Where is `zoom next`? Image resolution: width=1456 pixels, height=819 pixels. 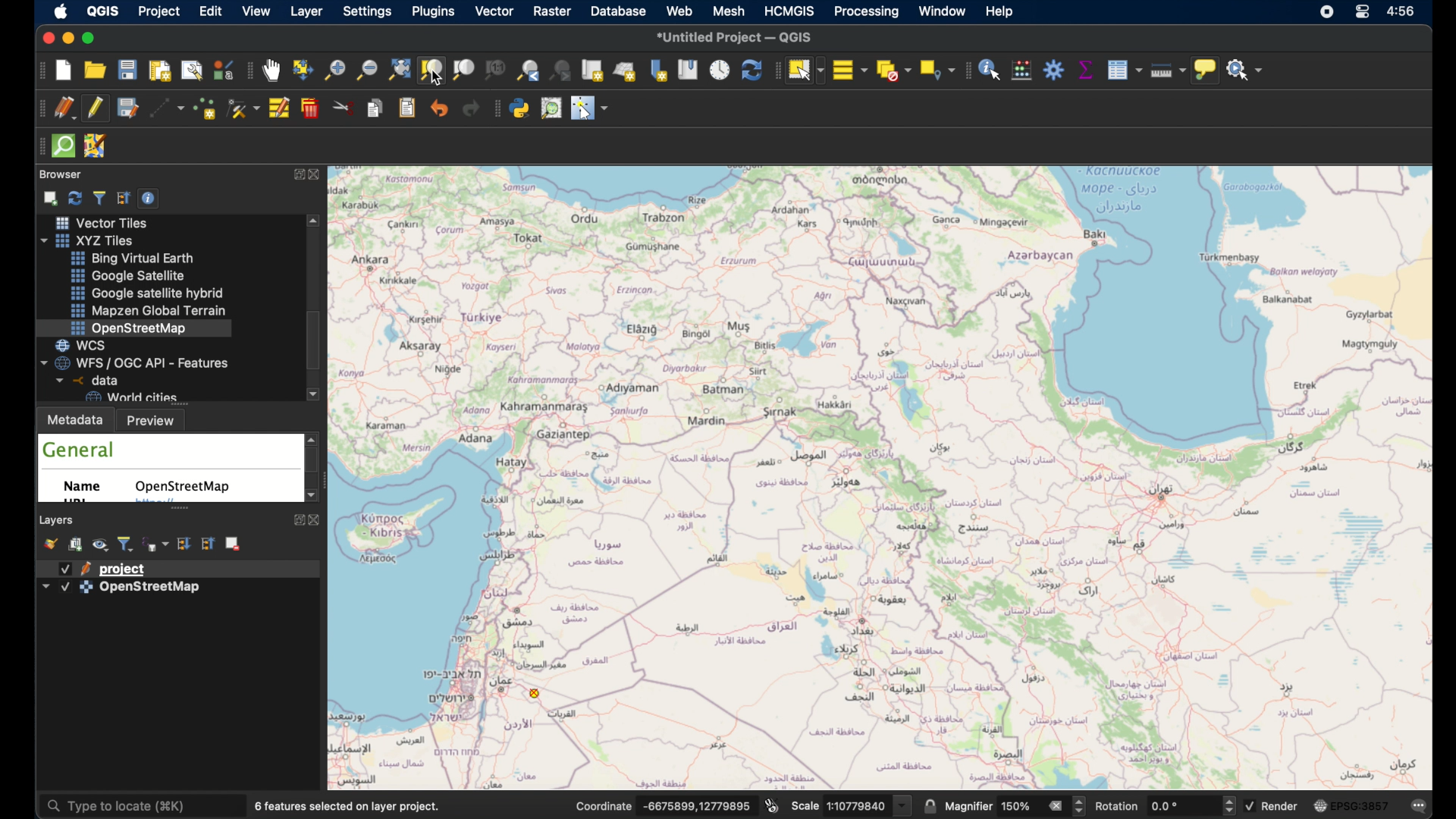
zoom next is located at coordinates (562, 71).